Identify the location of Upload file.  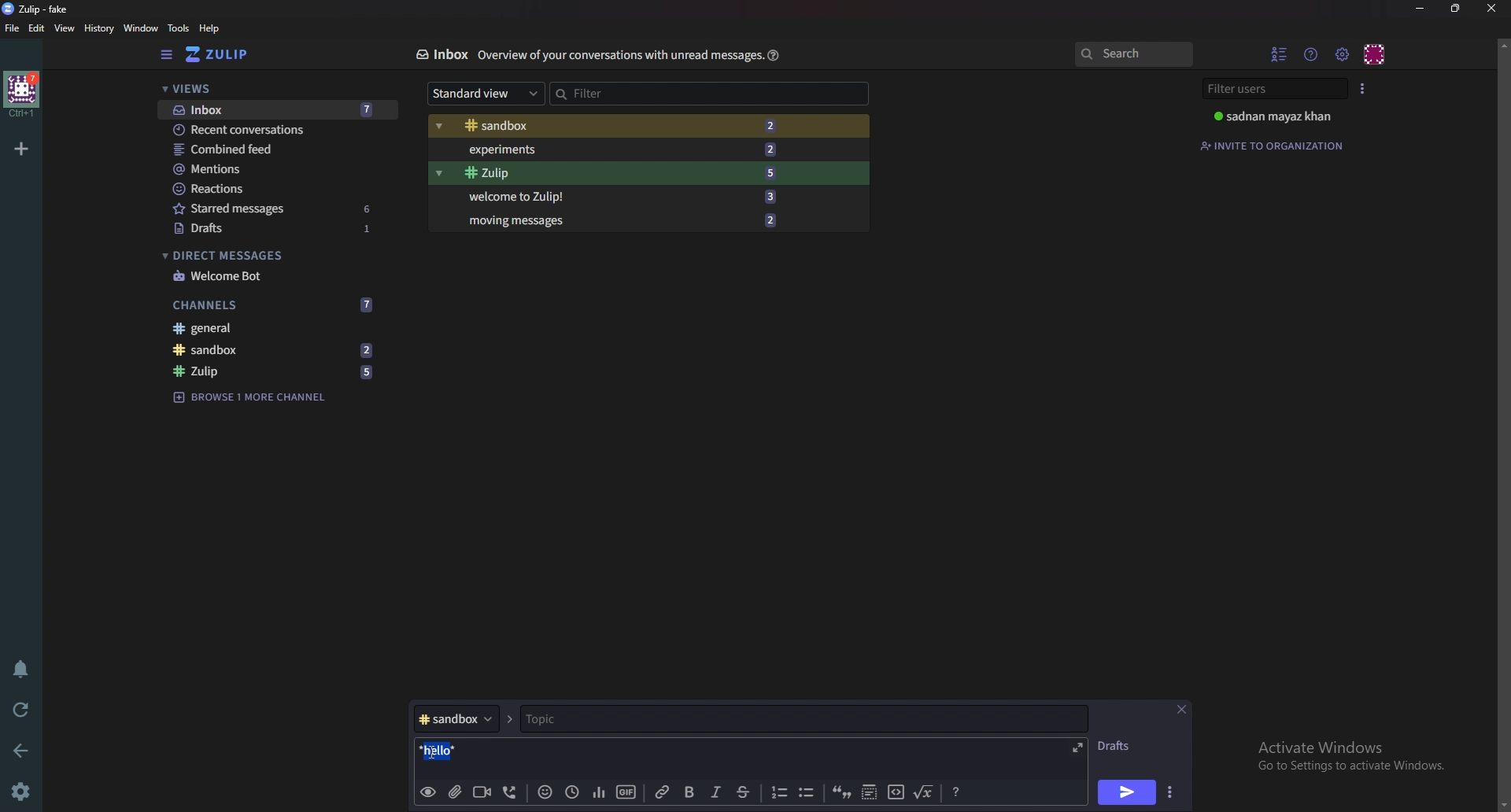
(456, 792).